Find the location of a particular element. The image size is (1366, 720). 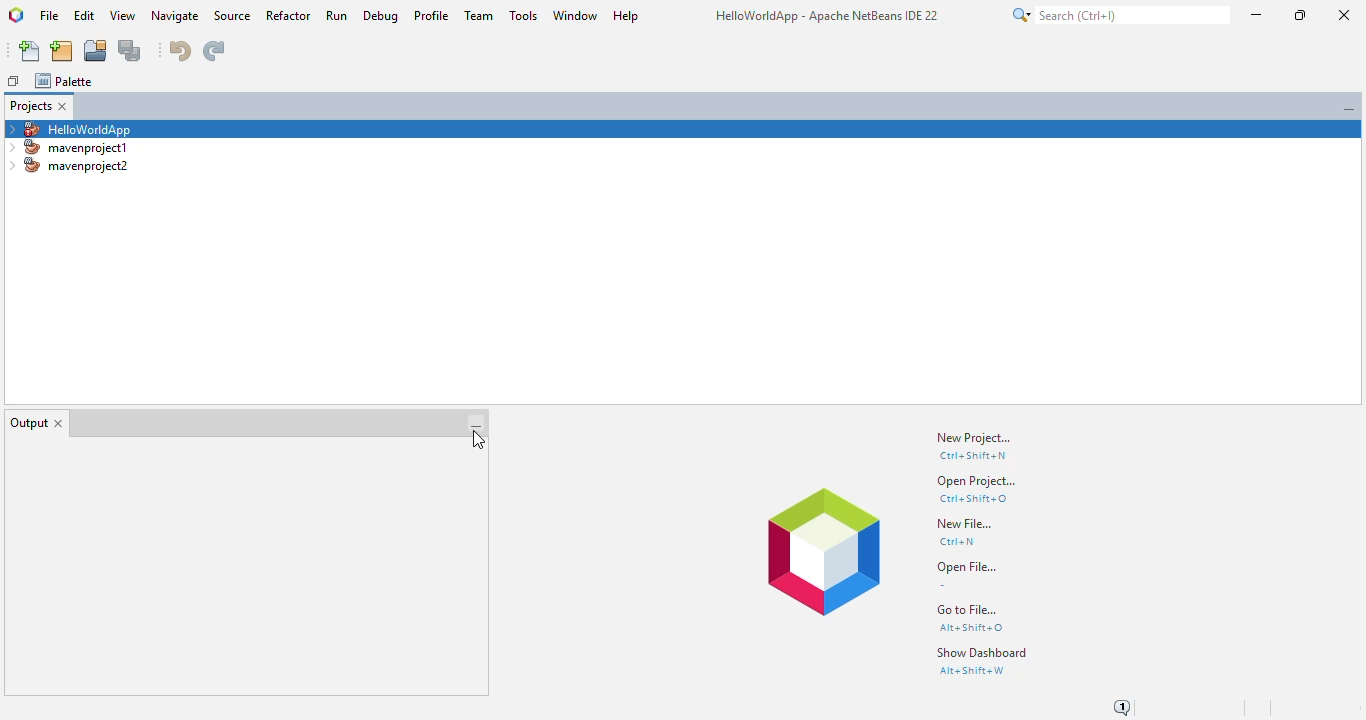

view is located at coordinates (124, 16).